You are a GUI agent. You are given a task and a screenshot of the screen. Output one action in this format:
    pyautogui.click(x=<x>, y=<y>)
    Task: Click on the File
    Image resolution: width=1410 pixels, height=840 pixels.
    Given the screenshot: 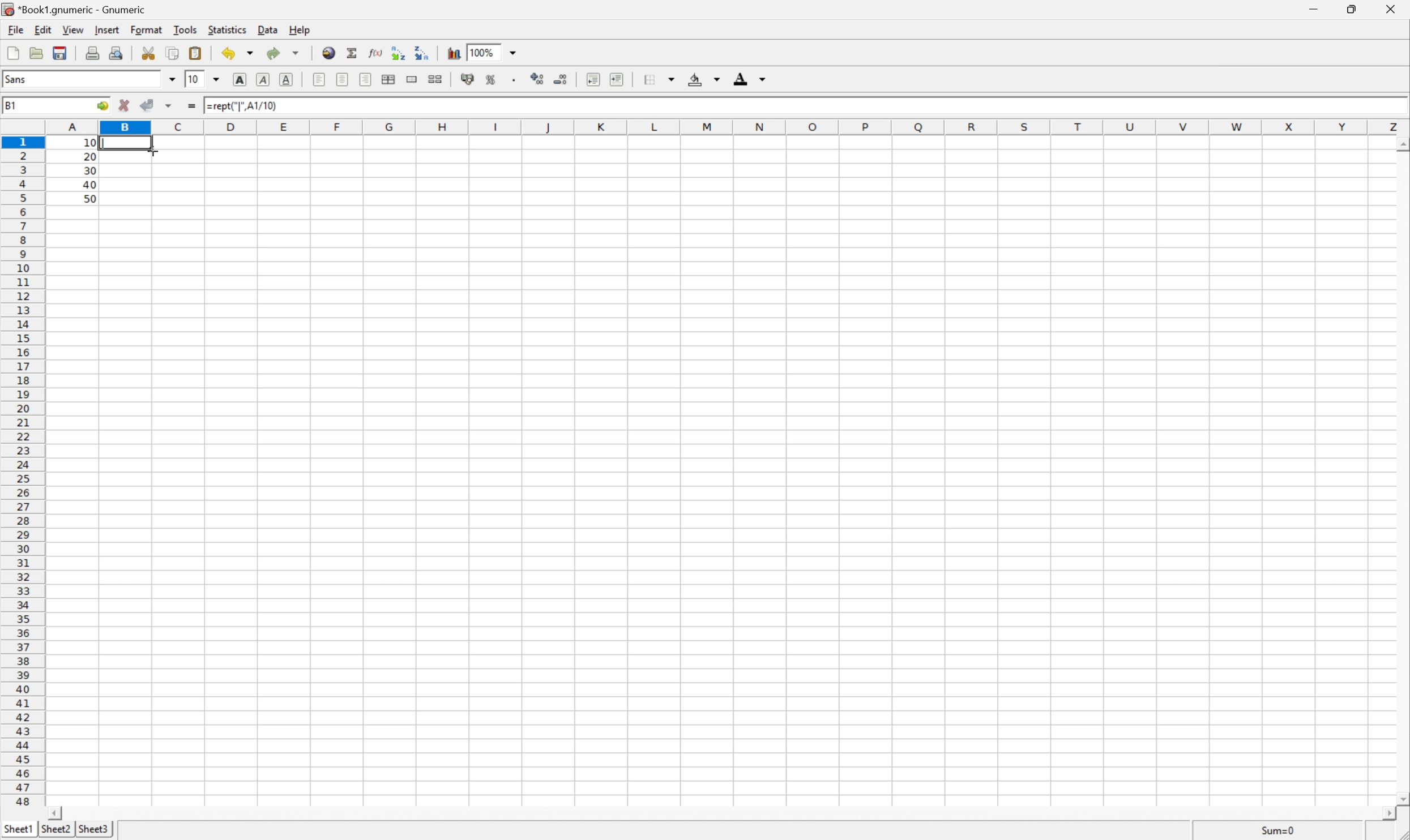 What is the action you would take?
    pyautogui.click(x=15, y=30)
    